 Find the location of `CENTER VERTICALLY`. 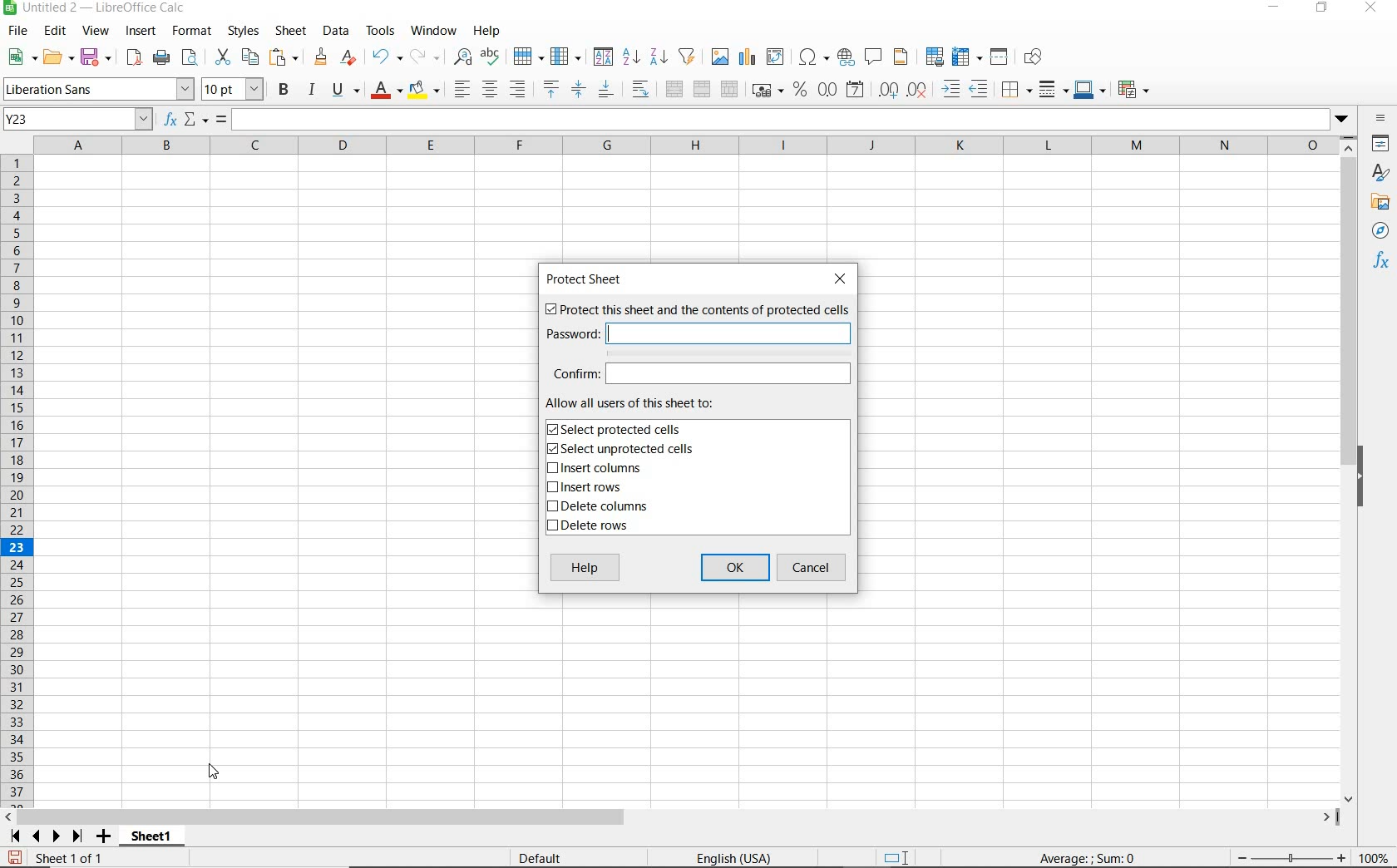

CENTER VERTICALLY is located at coordinates (579, 91).